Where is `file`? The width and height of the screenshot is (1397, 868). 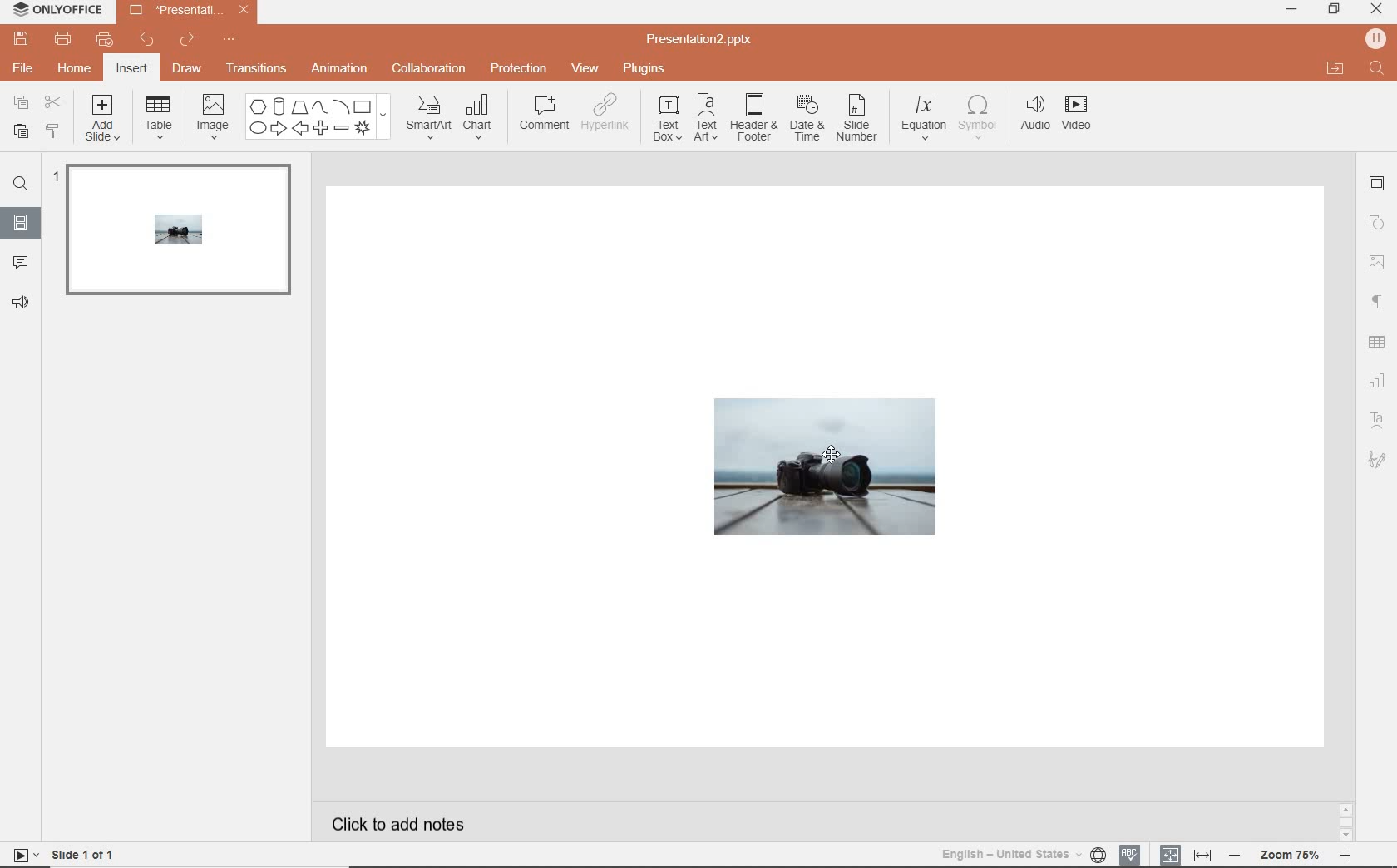 file is located at coordinates (24, 70).